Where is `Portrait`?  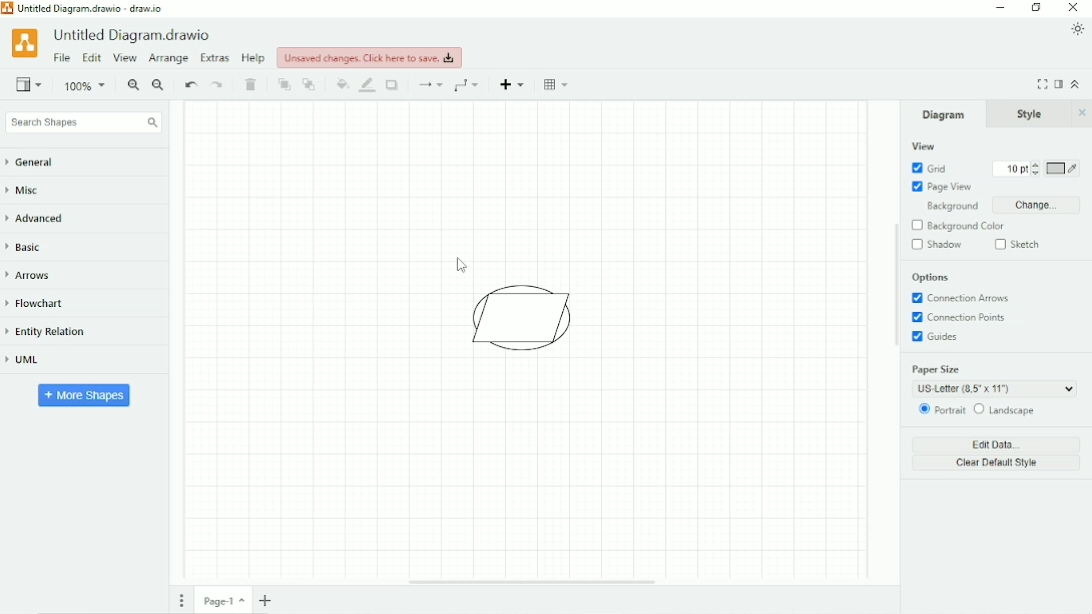 Portrait is located at coordinates (940, 410).